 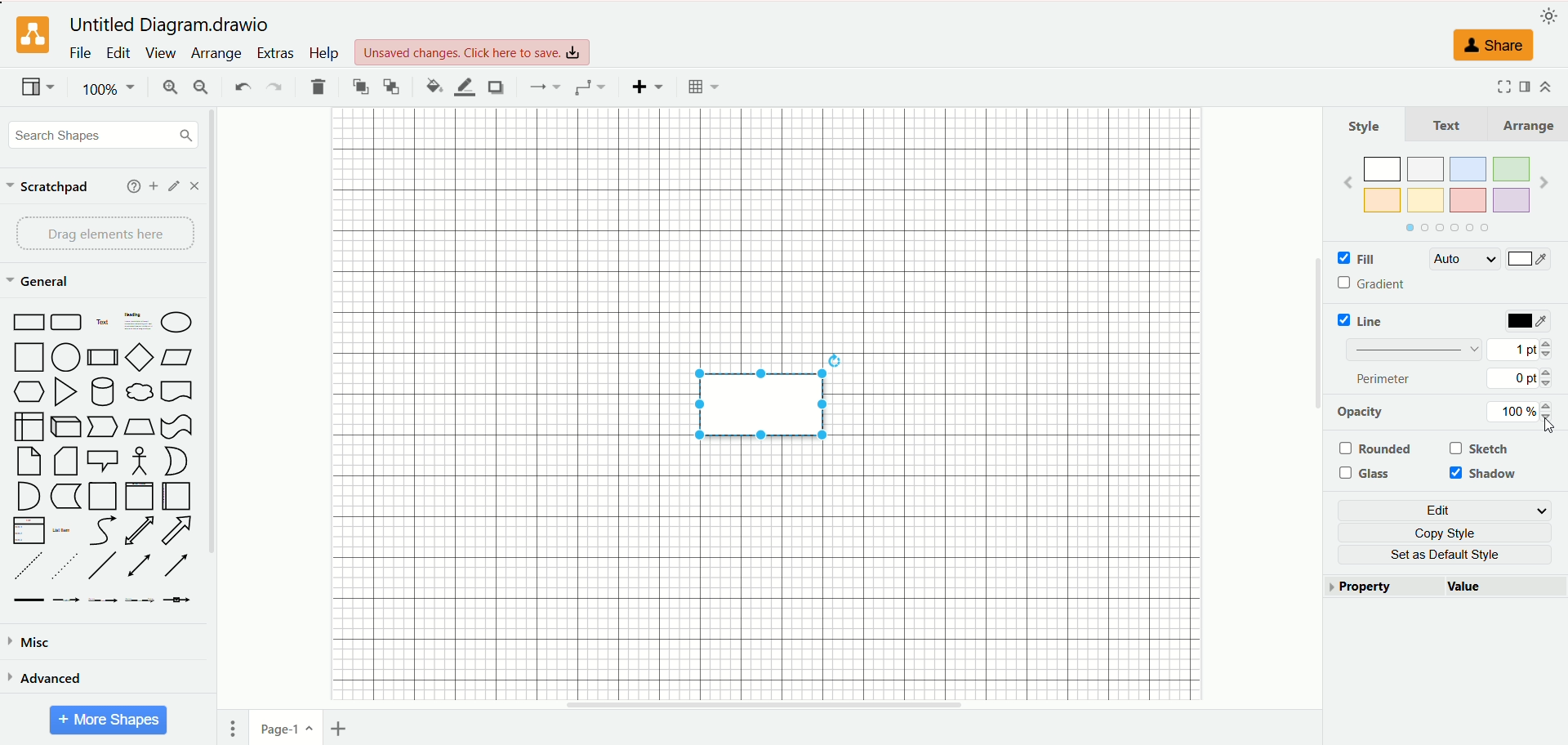 I want to click on page-1, so click(x=287, y=726).